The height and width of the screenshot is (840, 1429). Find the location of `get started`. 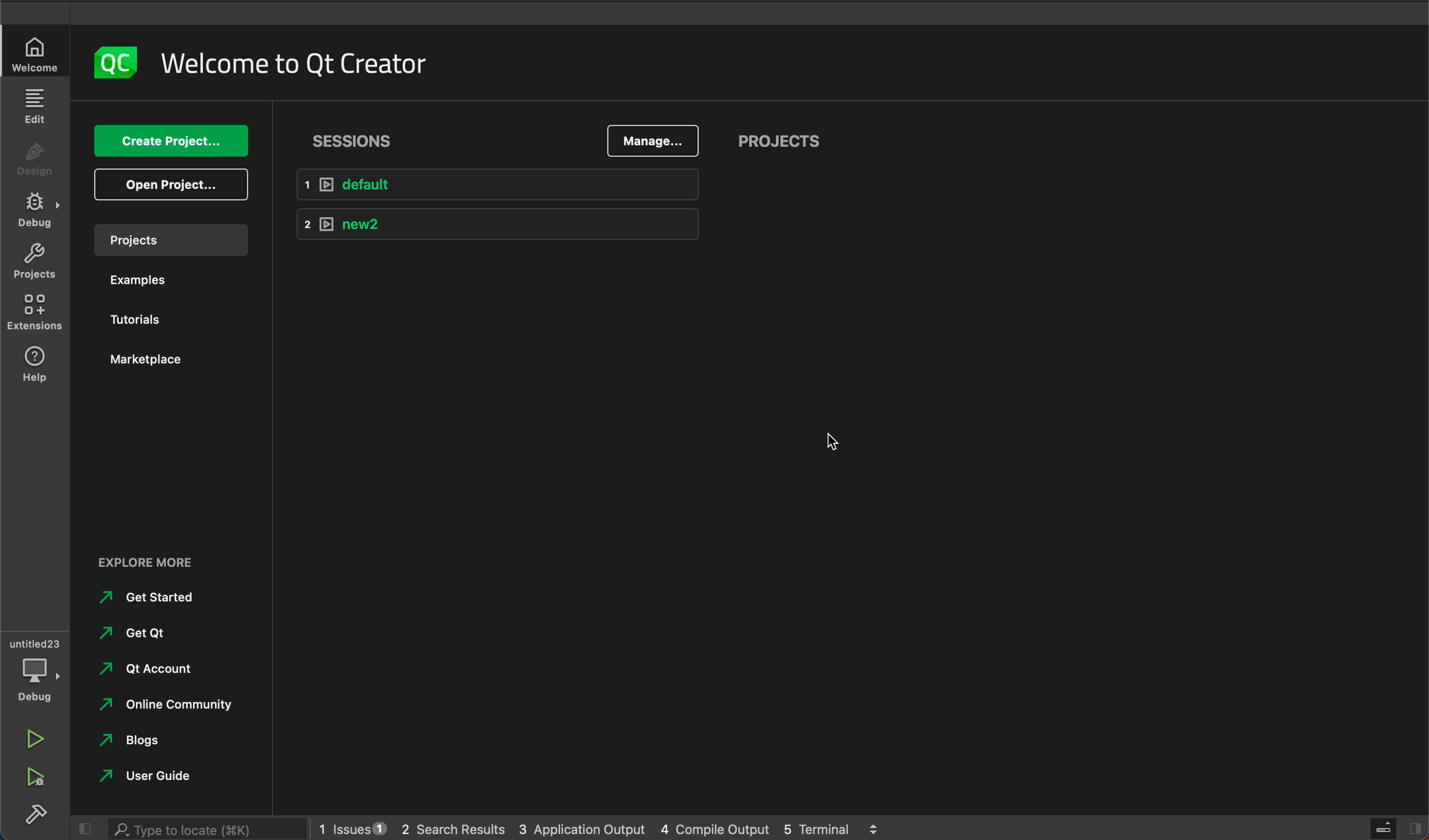

get started is located at coordinates (151, 597).